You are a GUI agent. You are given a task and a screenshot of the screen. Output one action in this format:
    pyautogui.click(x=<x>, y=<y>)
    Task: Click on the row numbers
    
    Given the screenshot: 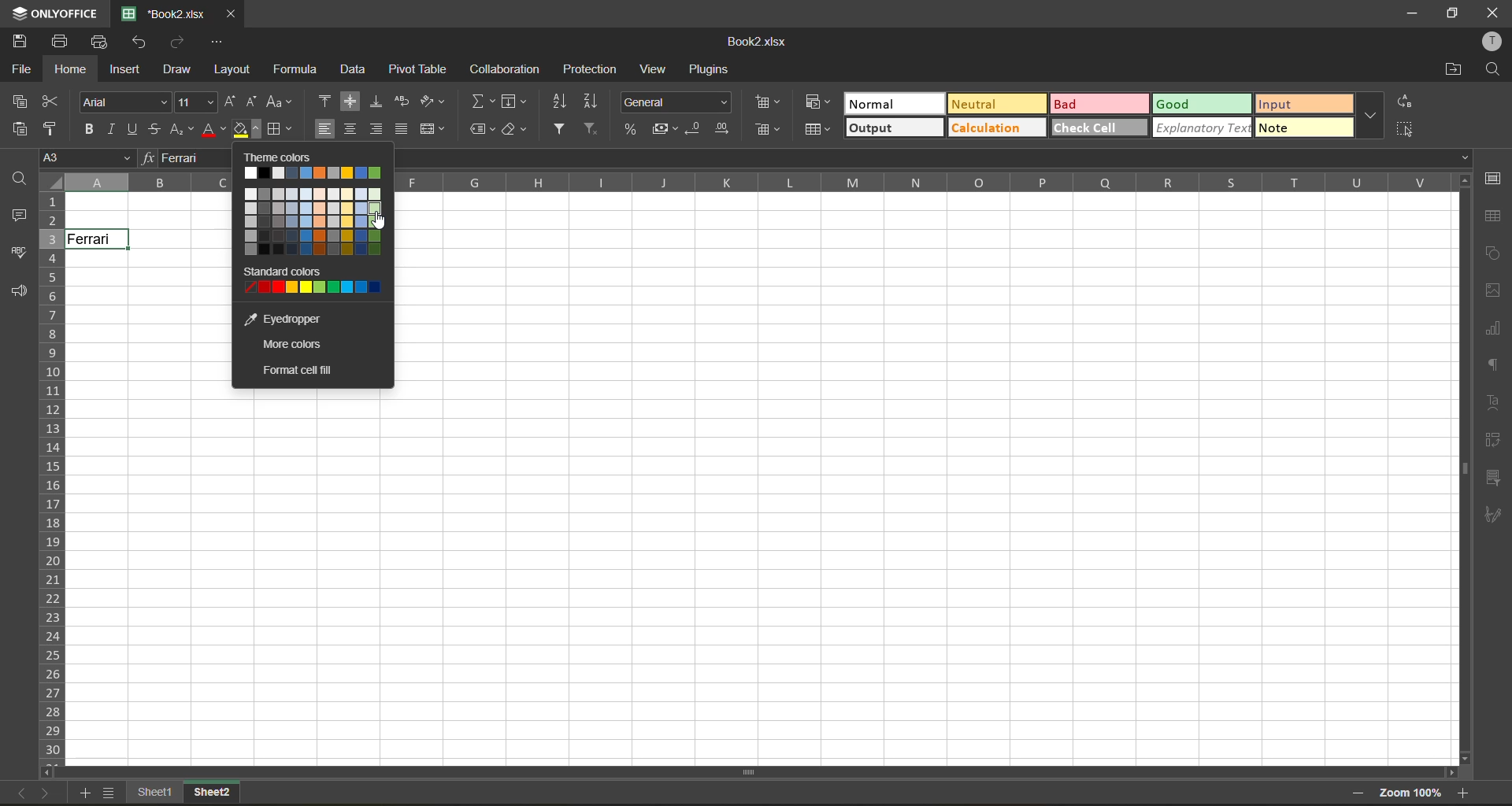 What is the action you would take?
    pyautogui.click(x=54, y=486)
    